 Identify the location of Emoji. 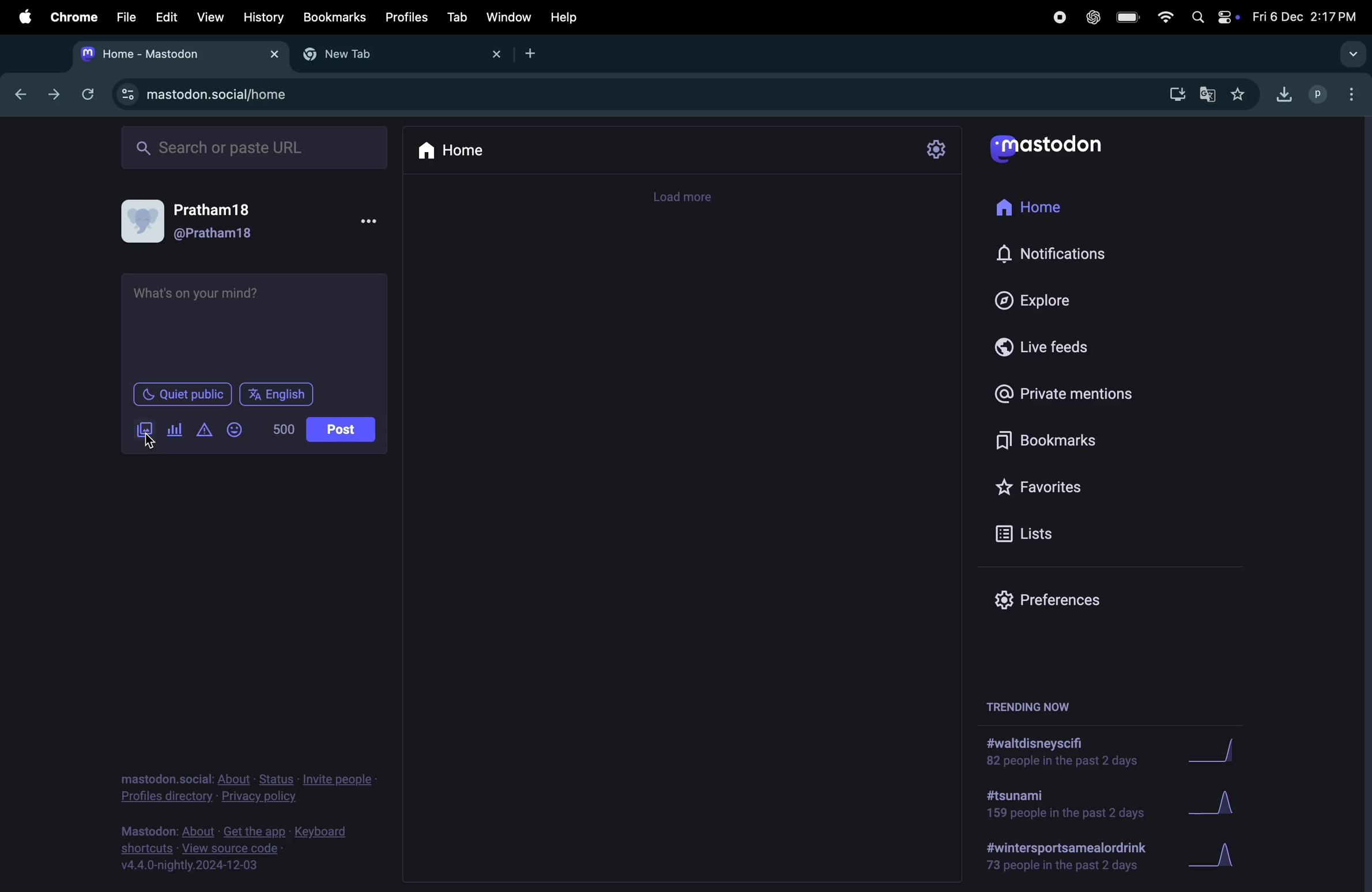
(235, 430).